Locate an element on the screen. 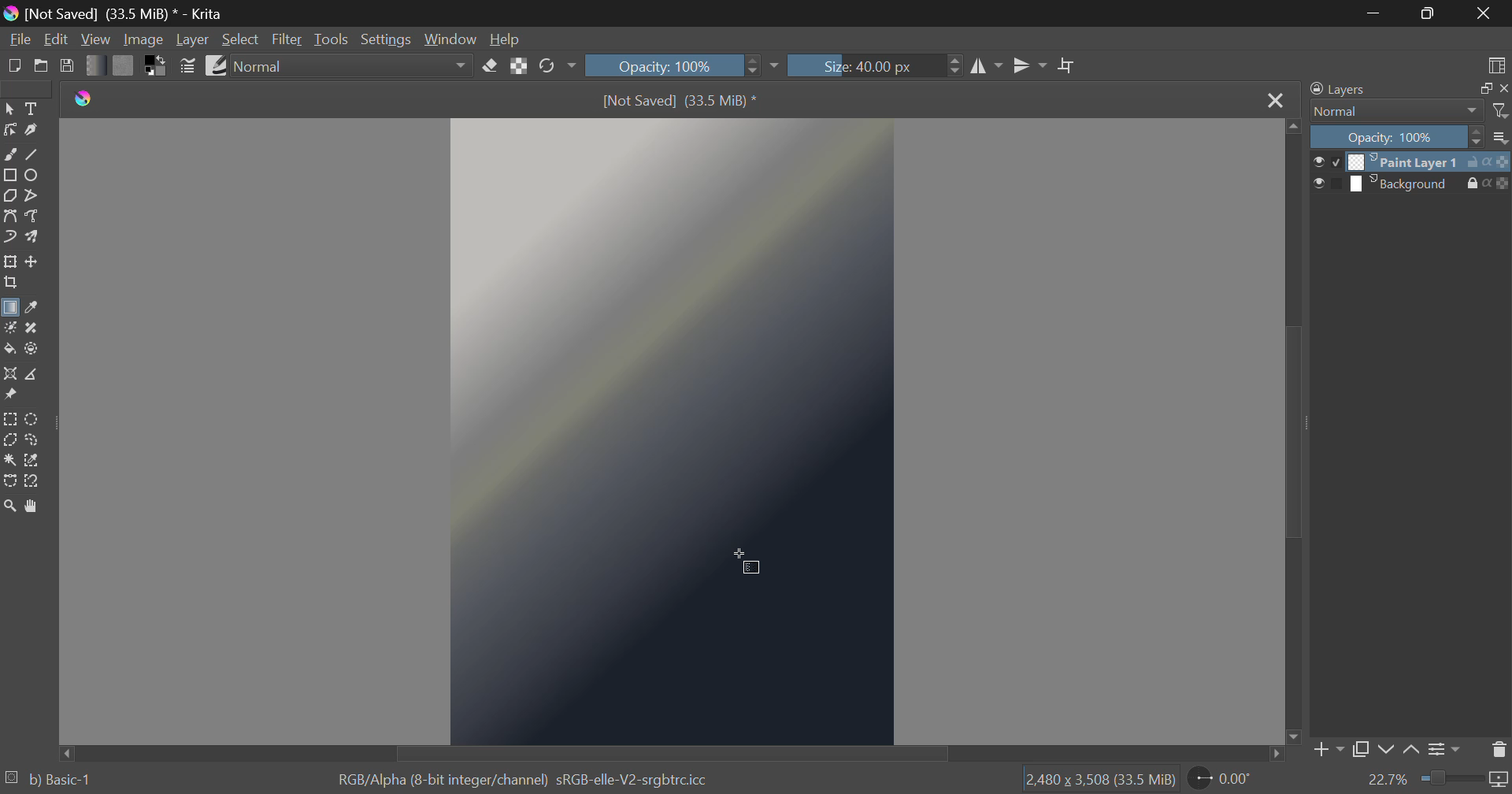 The image size is (1512, 794). Choose Workspace is located at coordinates (1494, 62).